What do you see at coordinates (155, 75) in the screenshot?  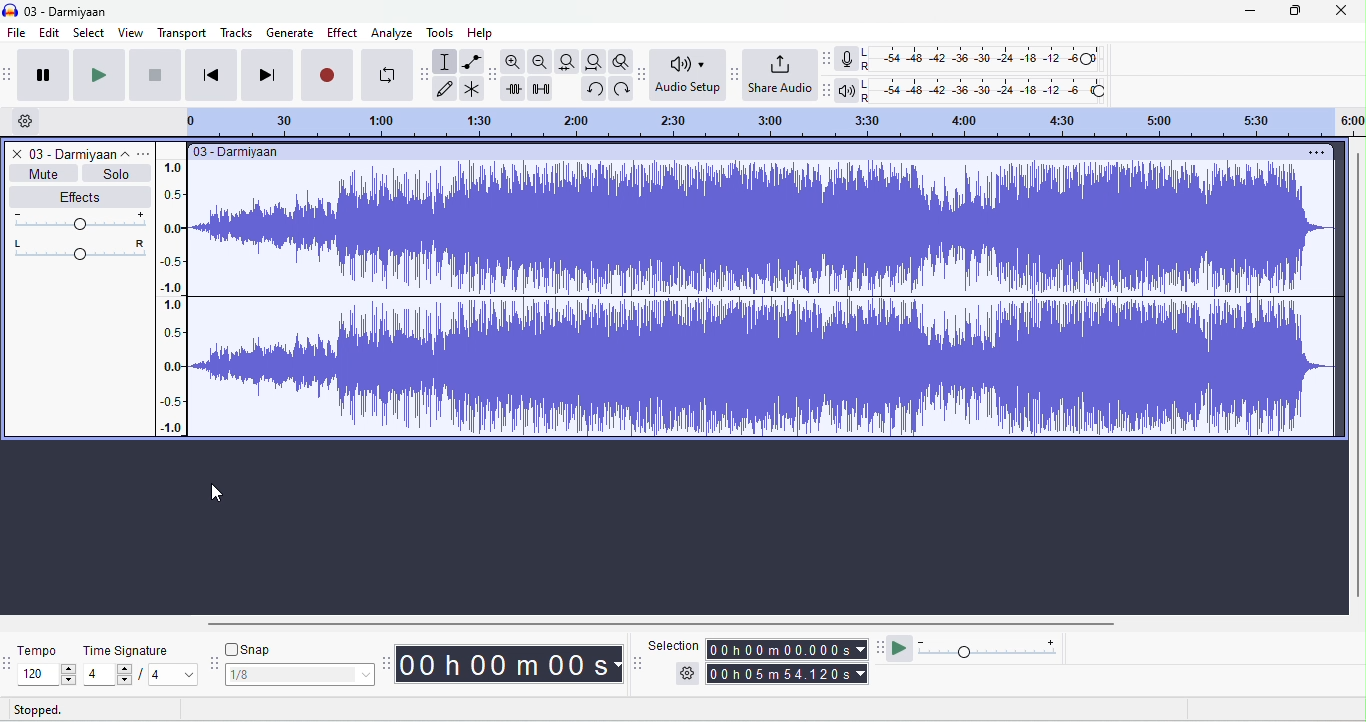 I see `stop` at bounding box center [155, 75].